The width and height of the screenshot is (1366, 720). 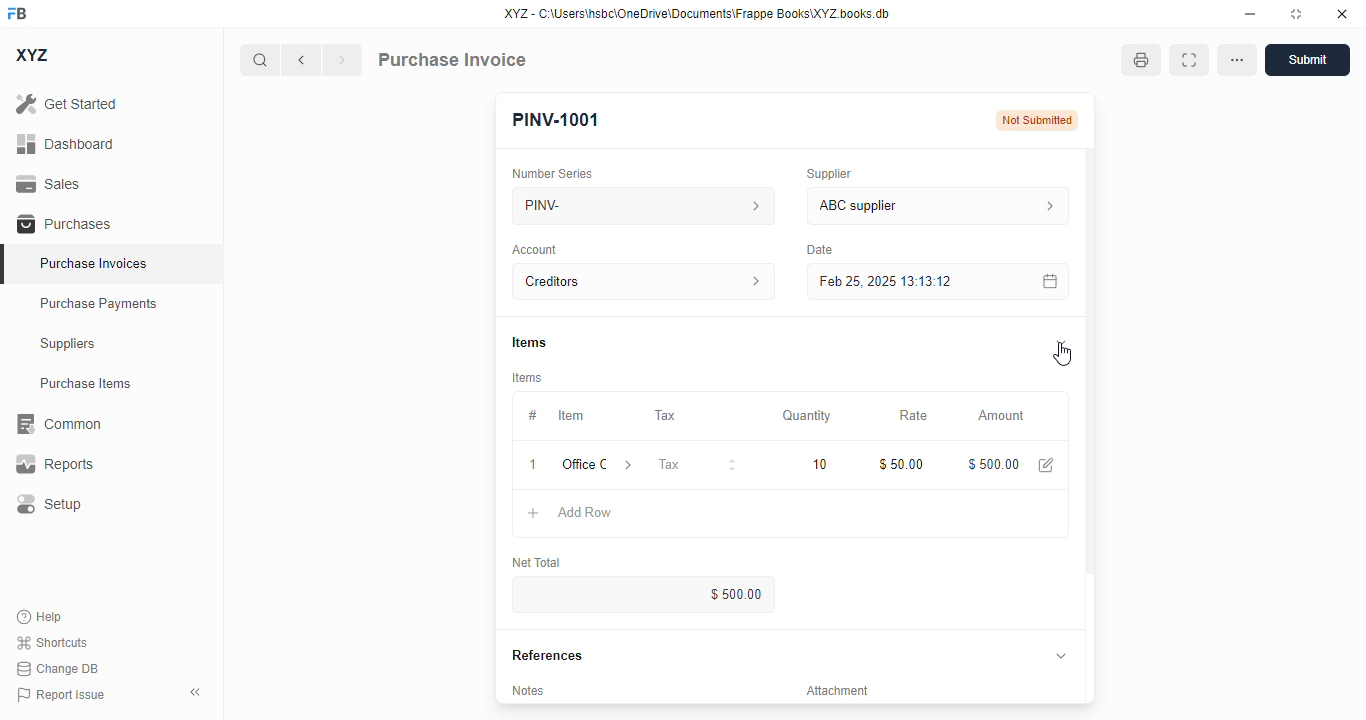 I want to click on item information, so click(x=629, y=465).